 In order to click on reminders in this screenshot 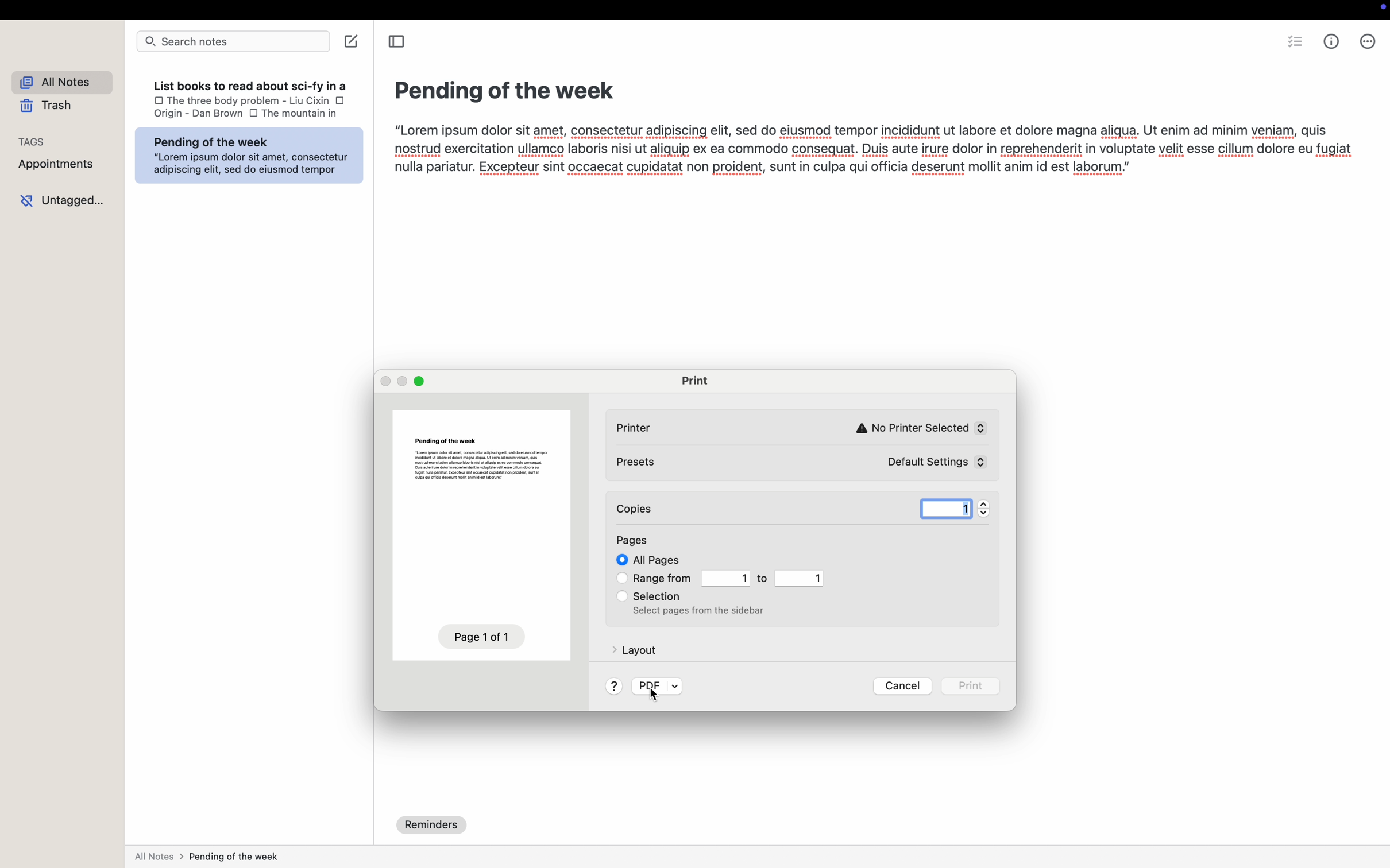, I will do `click(433, 824)`.